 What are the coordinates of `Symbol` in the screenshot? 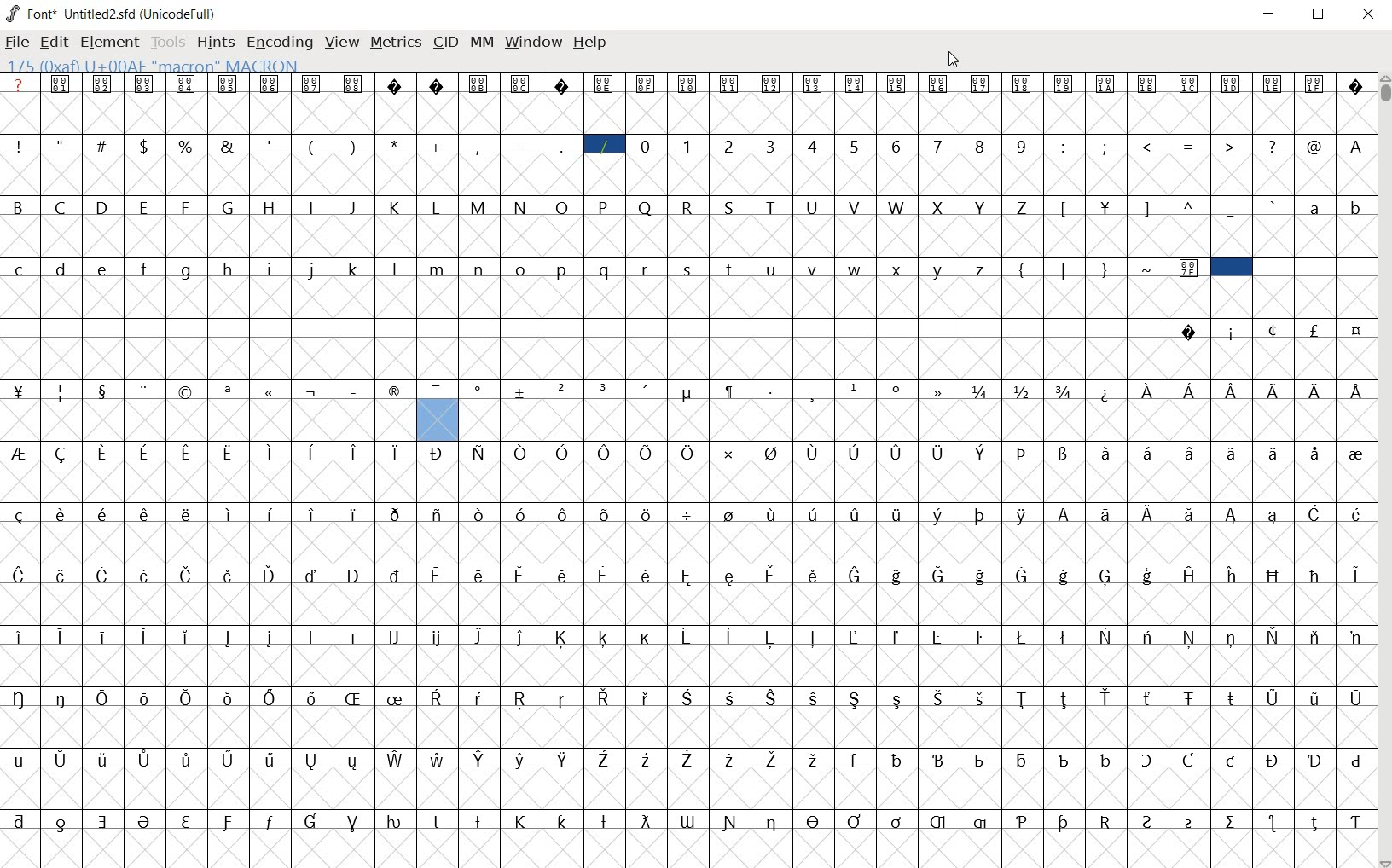 It's located at (315, 574).